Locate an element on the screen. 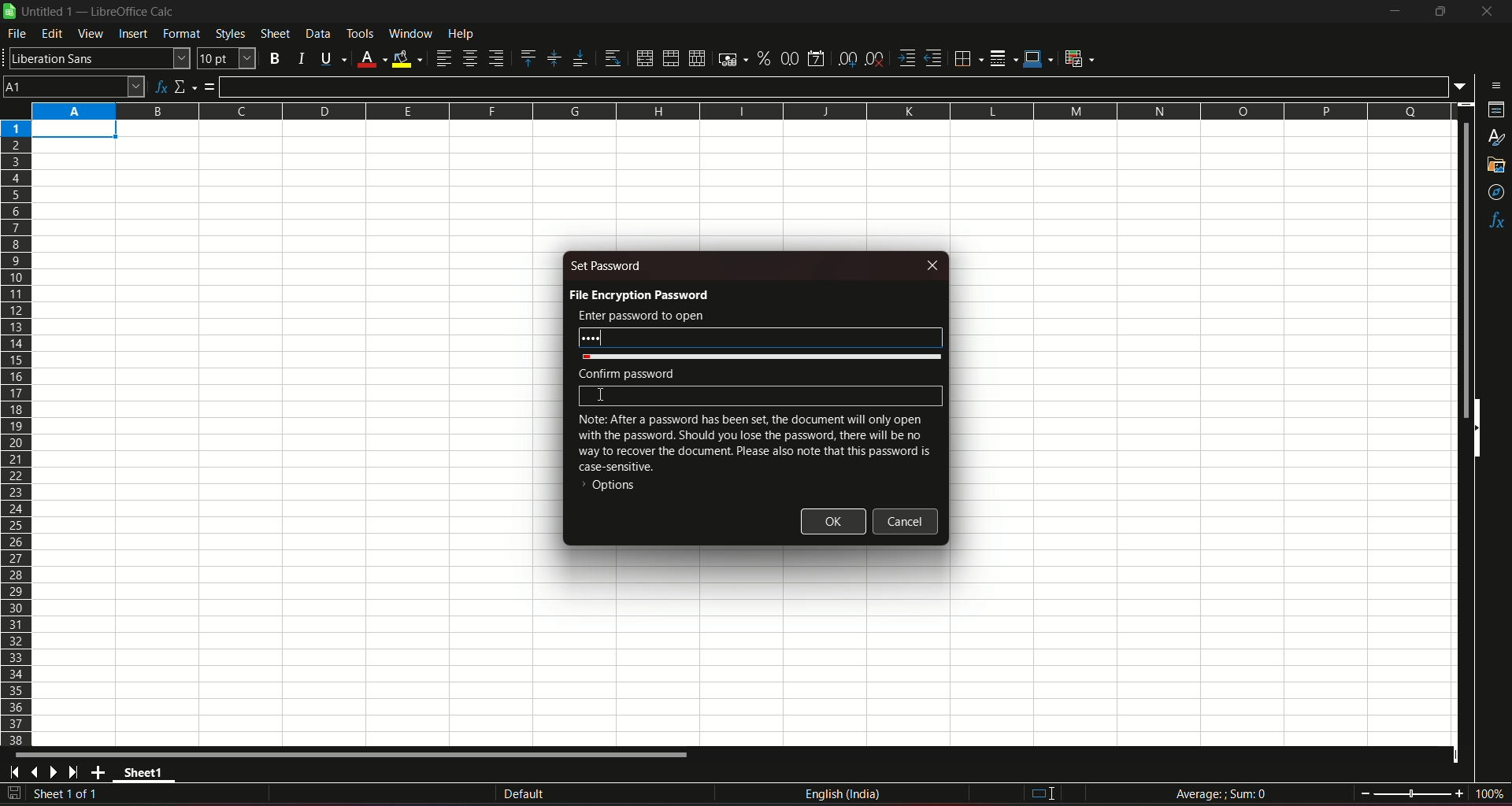  add new sheet is located at coordinates (98, 772).